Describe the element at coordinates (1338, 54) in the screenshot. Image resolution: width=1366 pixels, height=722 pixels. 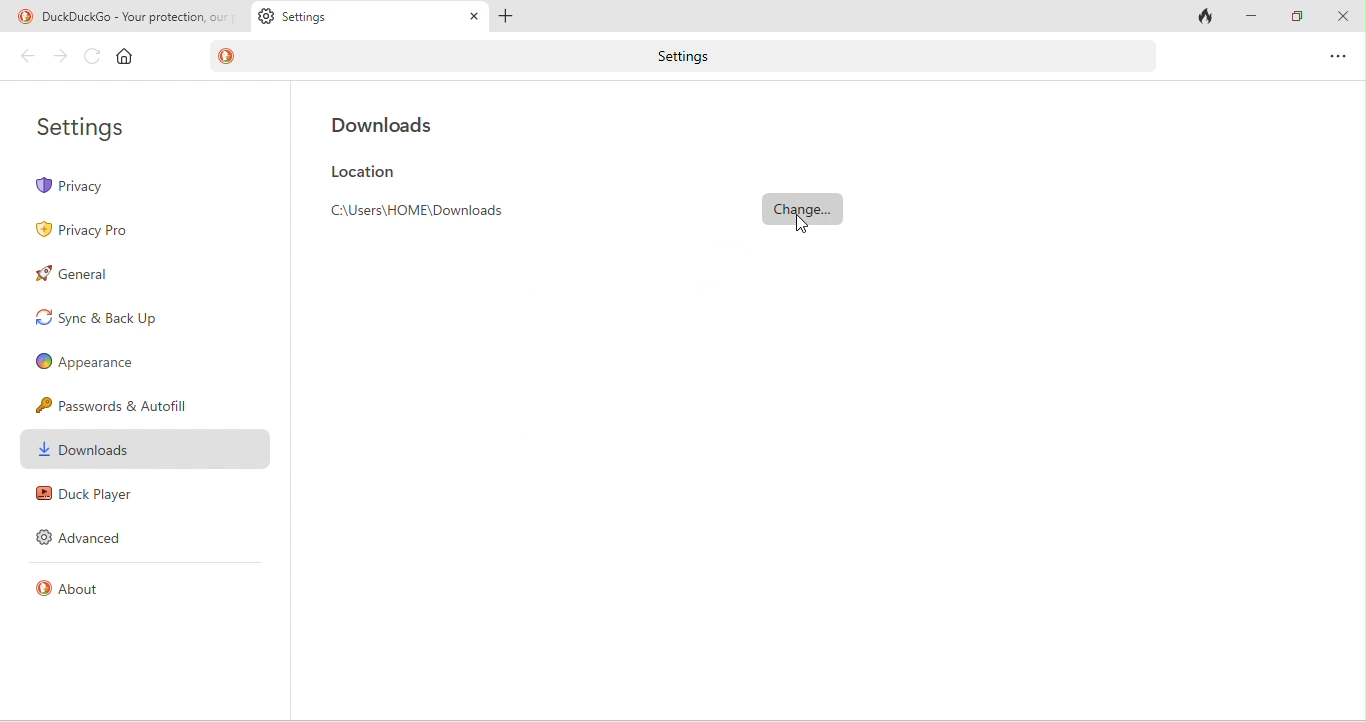
I see `more options` at that location.